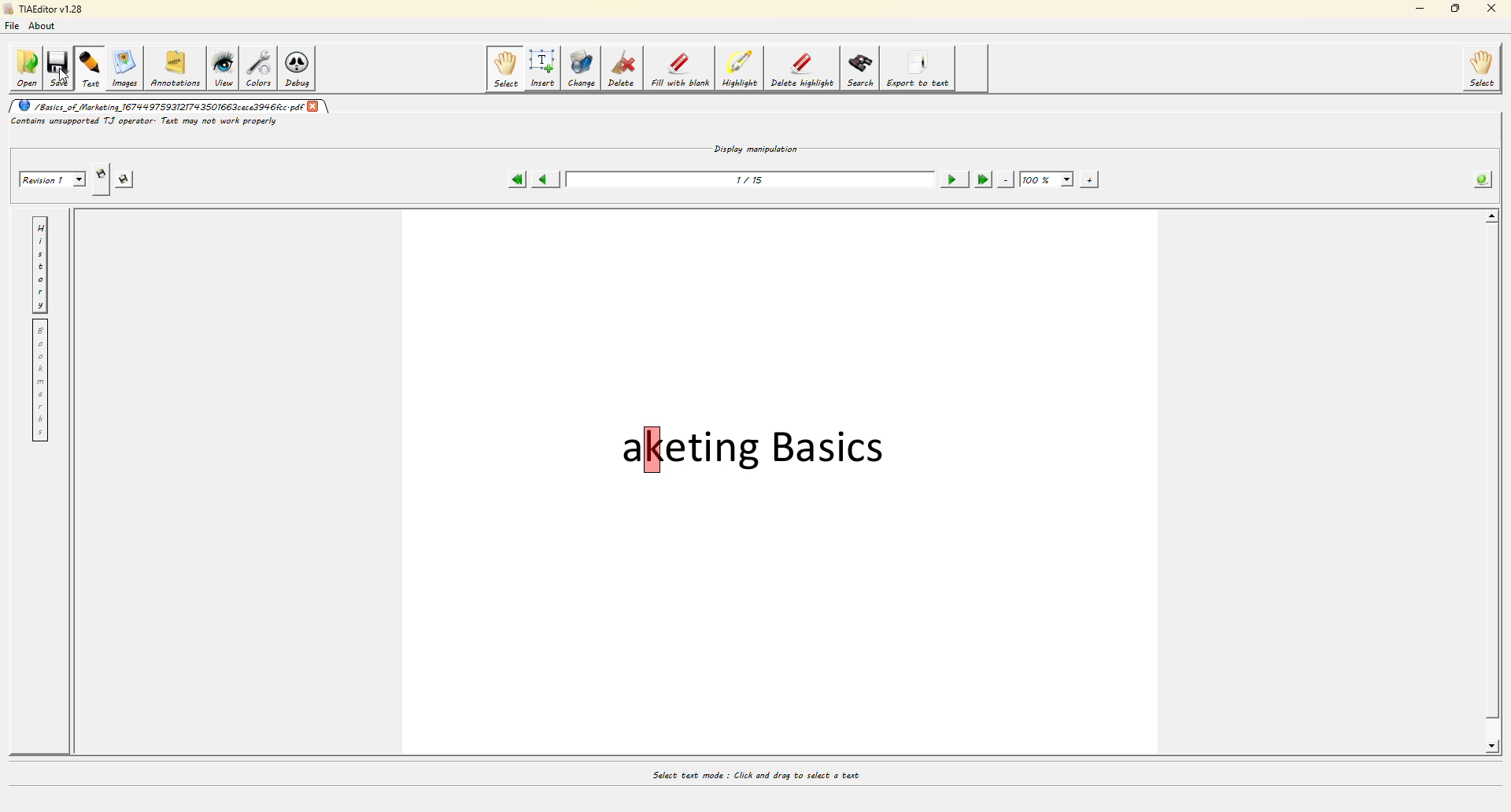 Image resolution: width=1511 pixels, height=812 pixels. Describe the element at coordinates (25, 65) in the screenshot. I see `open` at that location.